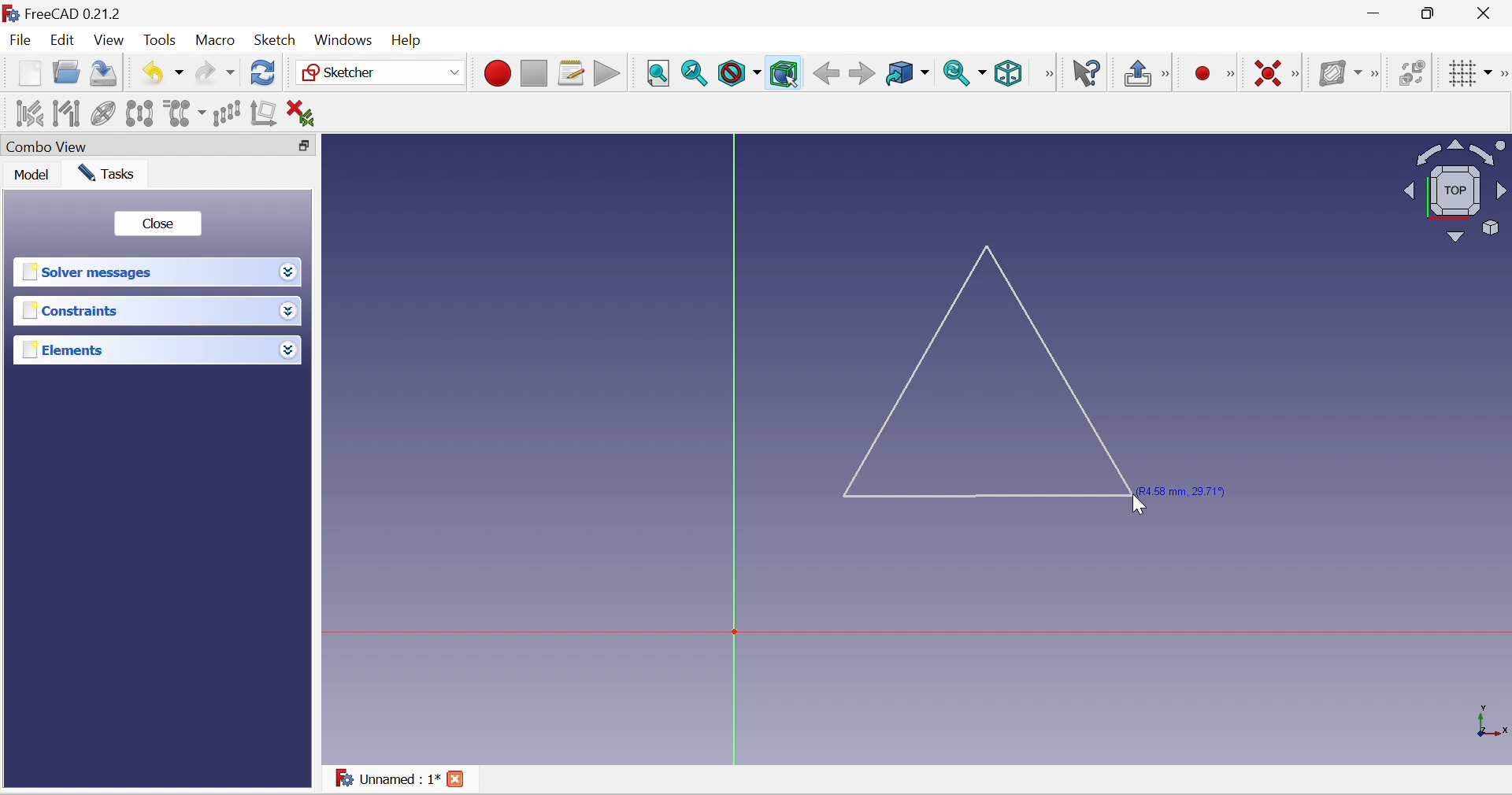 The width and height of the screenshot is (1512, 795). What do you see at coordinates (29, 113) in the screenshot?
I see `Select associated constraints` at bounding box center [29, 113].